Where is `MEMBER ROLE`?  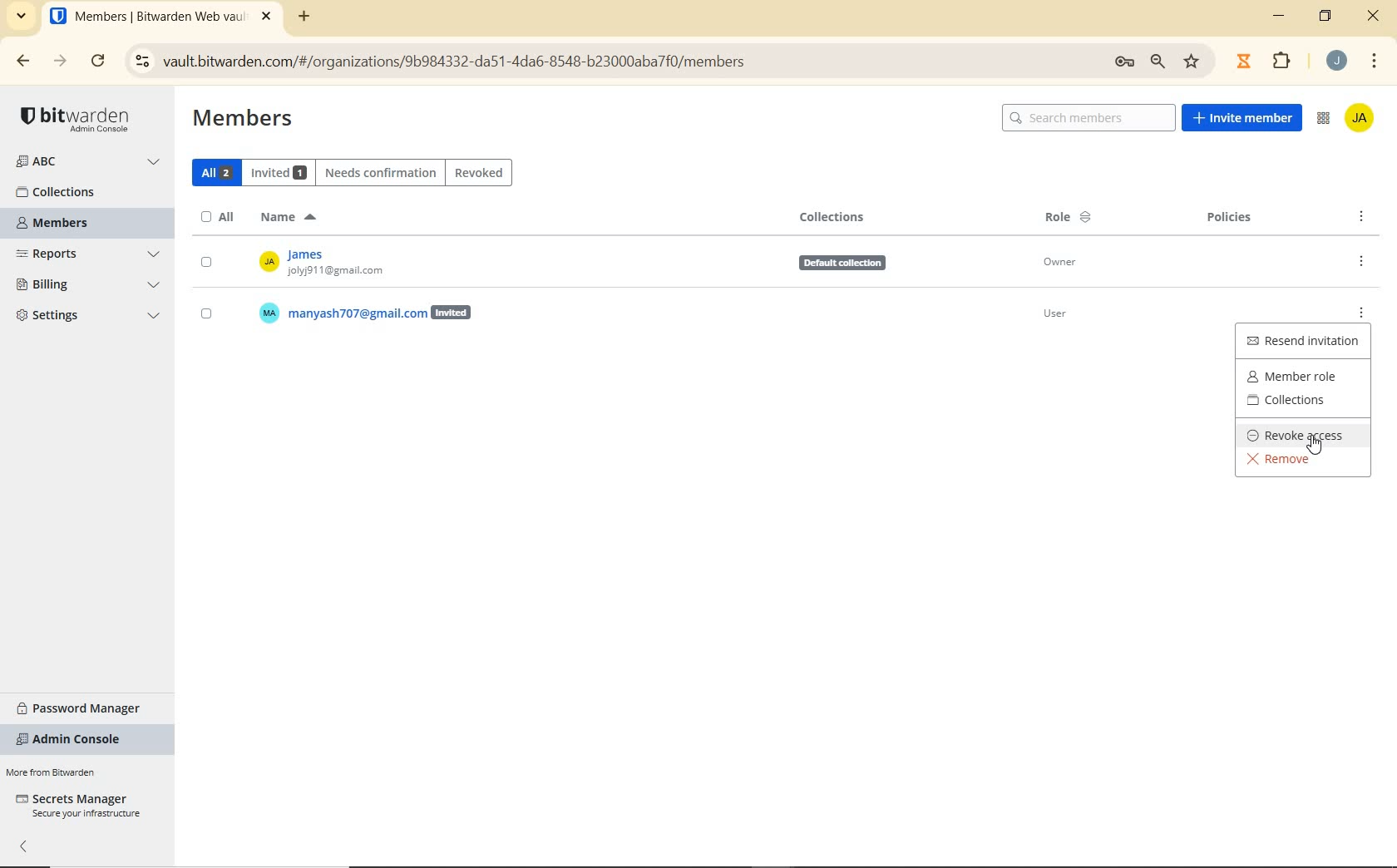
MEMBER ROLE is located at coordinates (1302, 374).